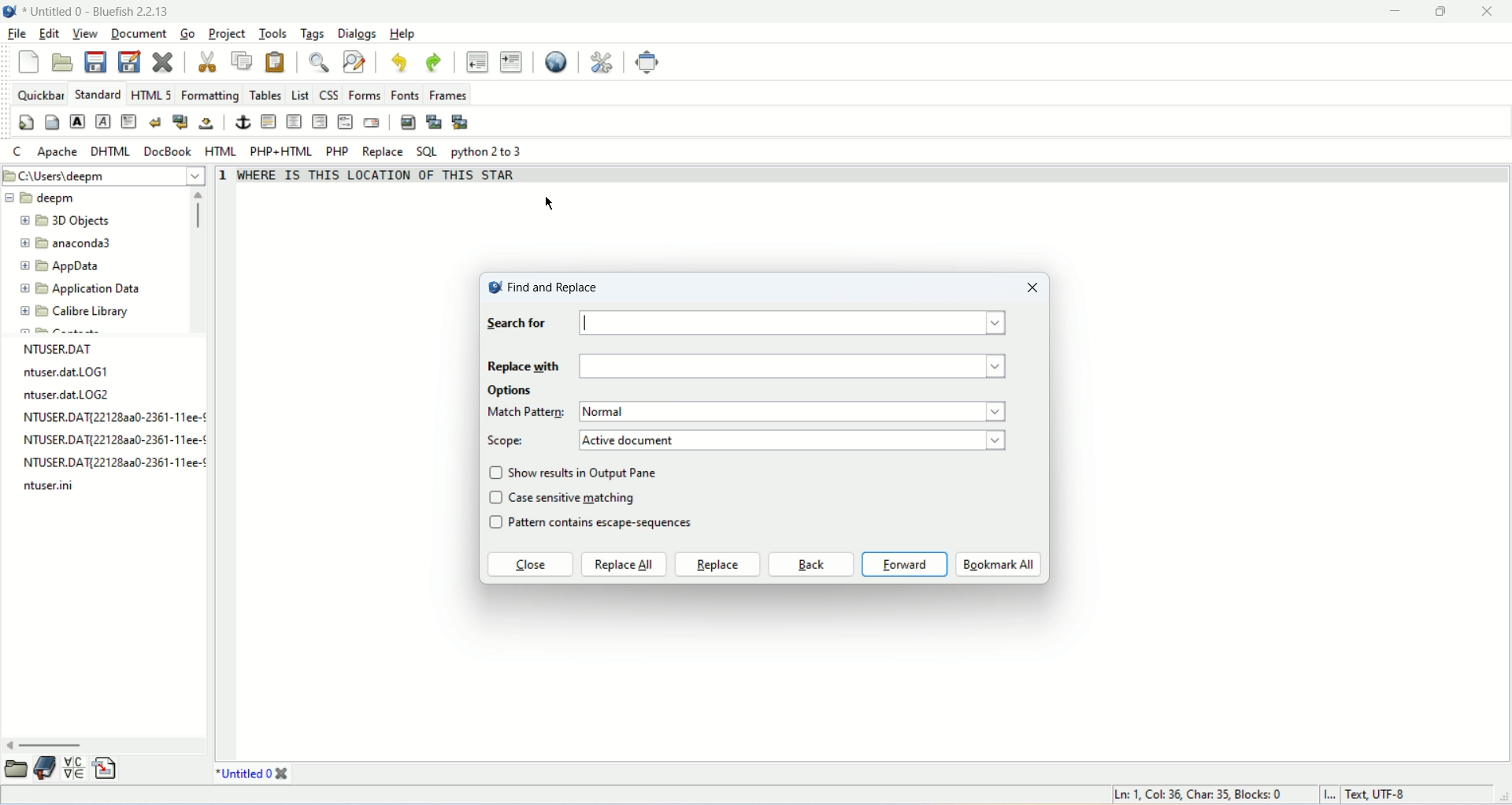 This screenshot has height=805, width=1512. I want to click on break and clear, so click(180, 121).